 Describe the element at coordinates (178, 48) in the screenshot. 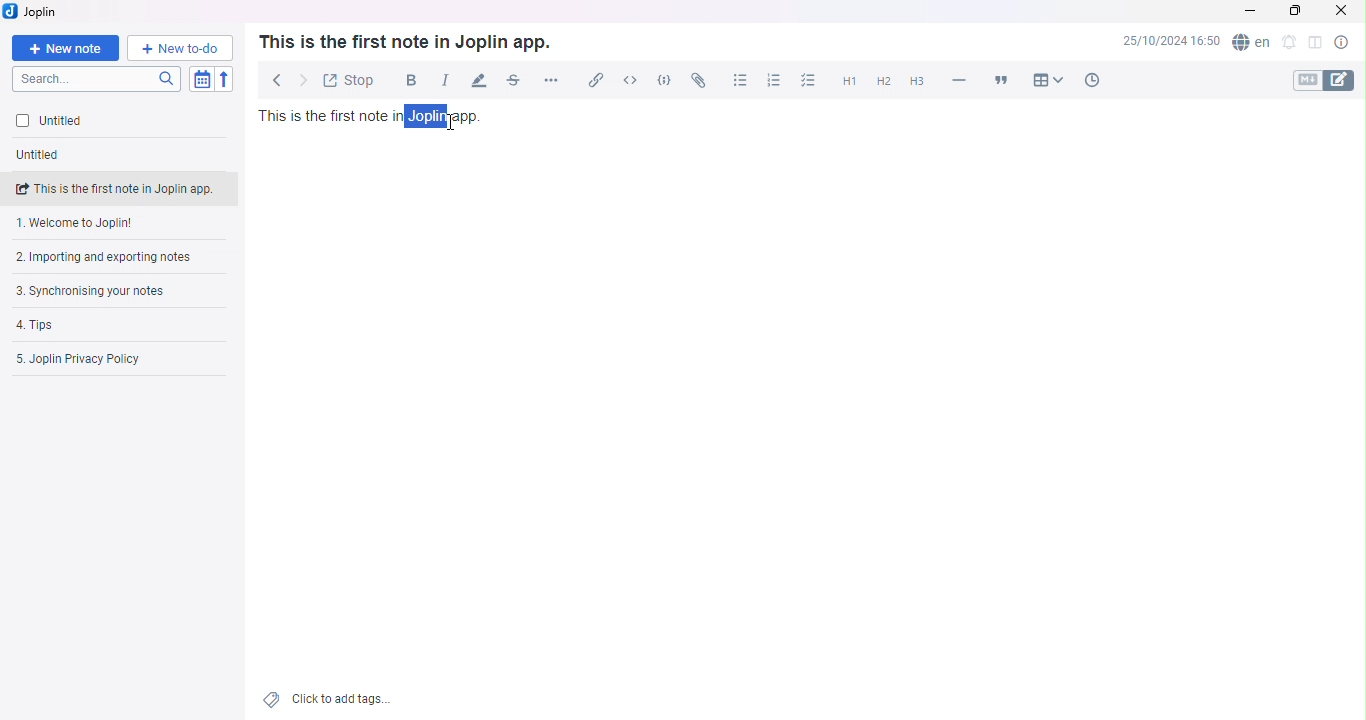

I see `New to-do` at that location.